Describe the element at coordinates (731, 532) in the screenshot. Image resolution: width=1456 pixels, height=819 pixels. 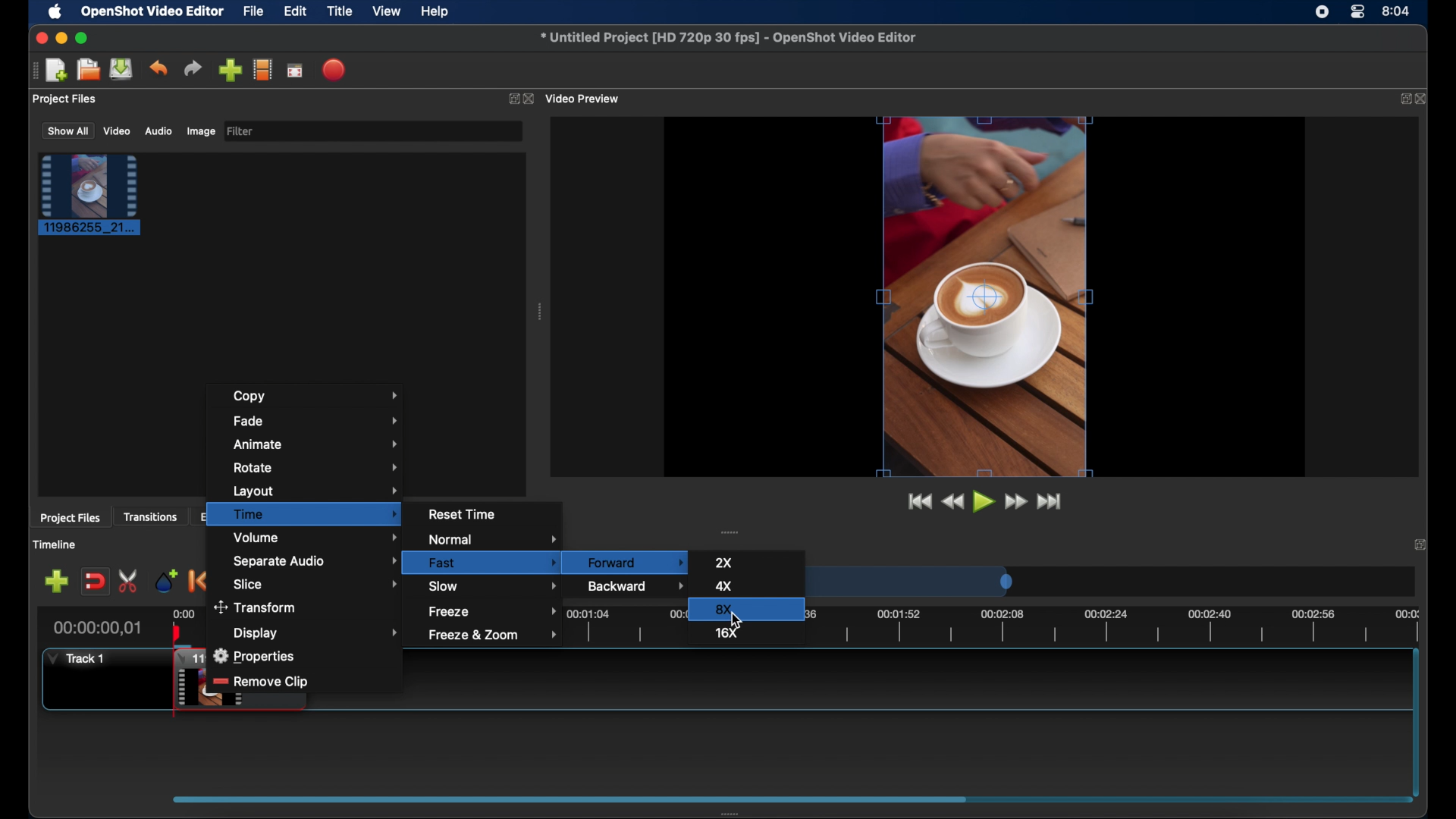
I see `drag handle` at that location.